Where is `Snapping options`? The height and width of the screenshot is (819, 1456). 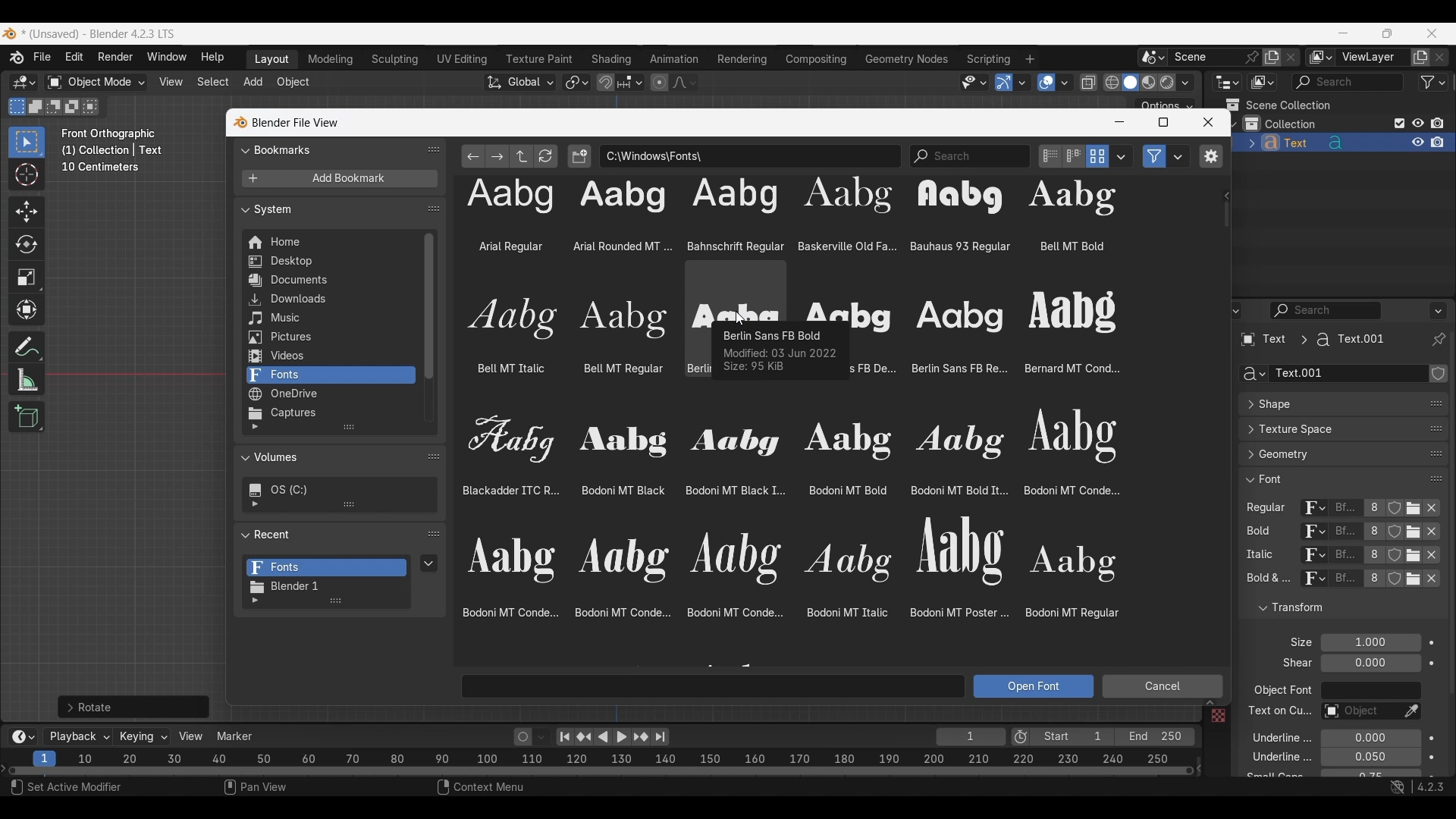
Snapping options is located at coordinates (632, 82).